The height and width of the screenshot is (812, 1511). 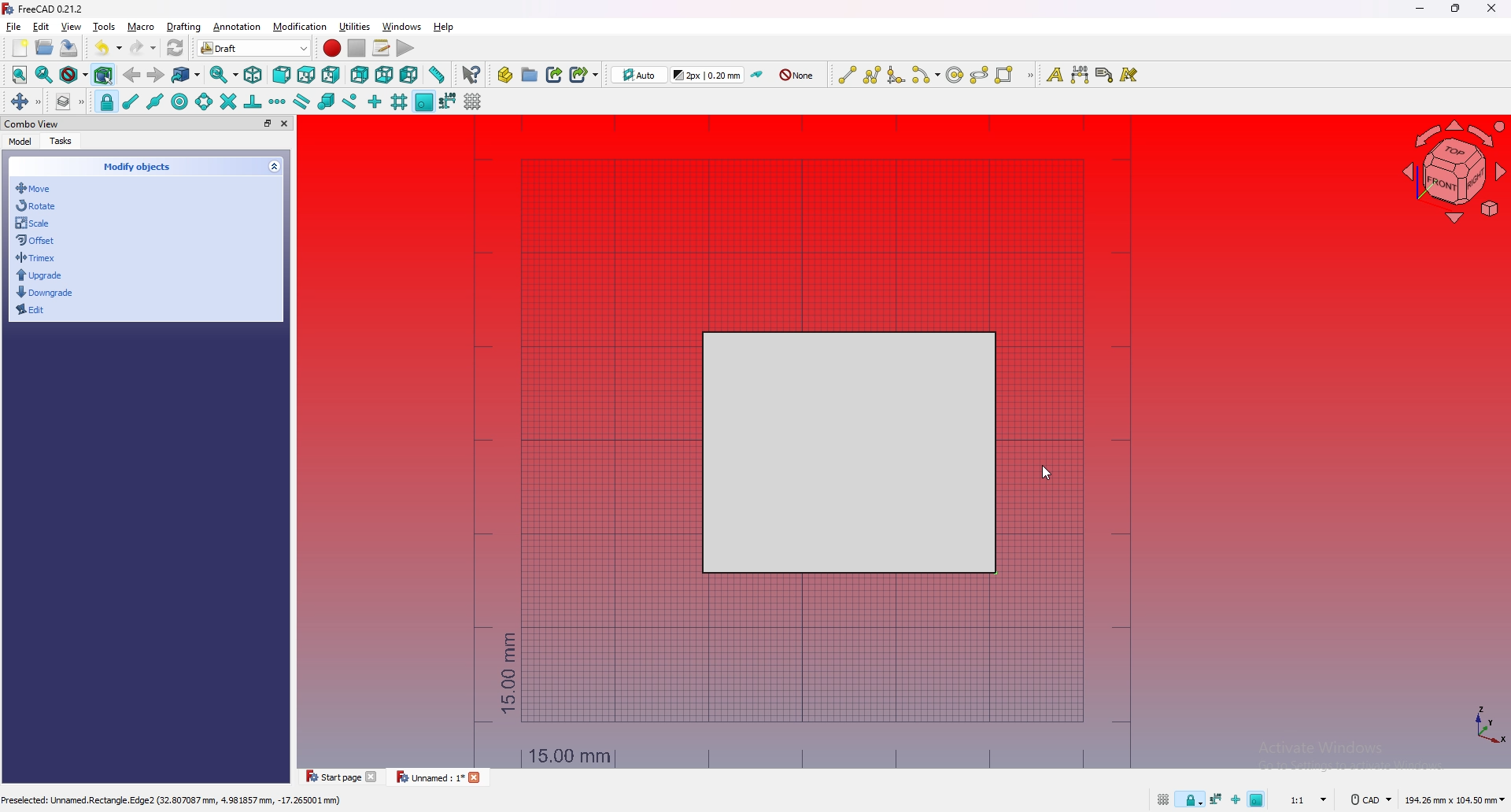 What do you see at coordinates (437, 74) in the screenshot?
I see `measure distance` at bounding box center [437, 74].